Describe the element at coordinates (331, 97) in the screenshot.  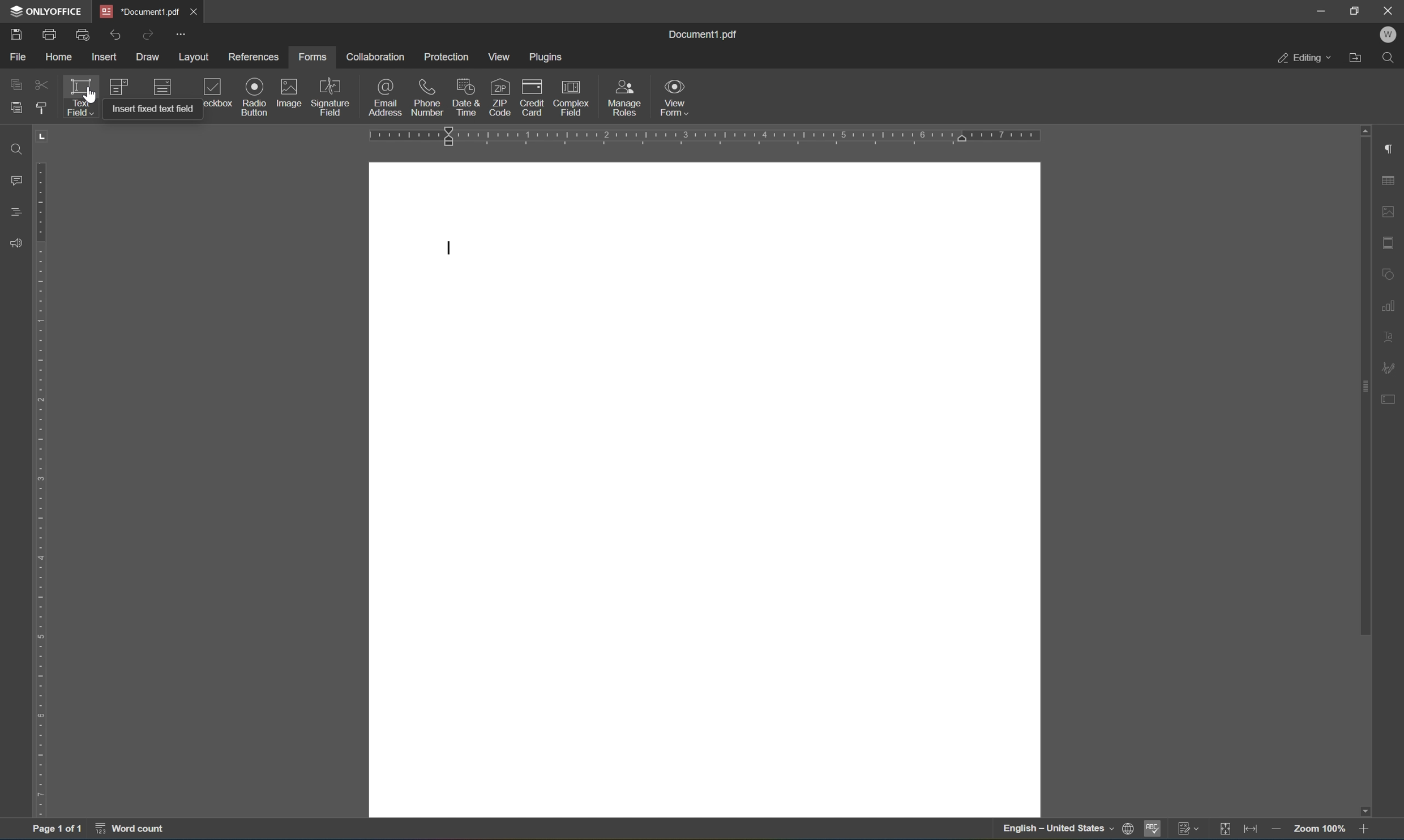
I see `signature field` at that location.